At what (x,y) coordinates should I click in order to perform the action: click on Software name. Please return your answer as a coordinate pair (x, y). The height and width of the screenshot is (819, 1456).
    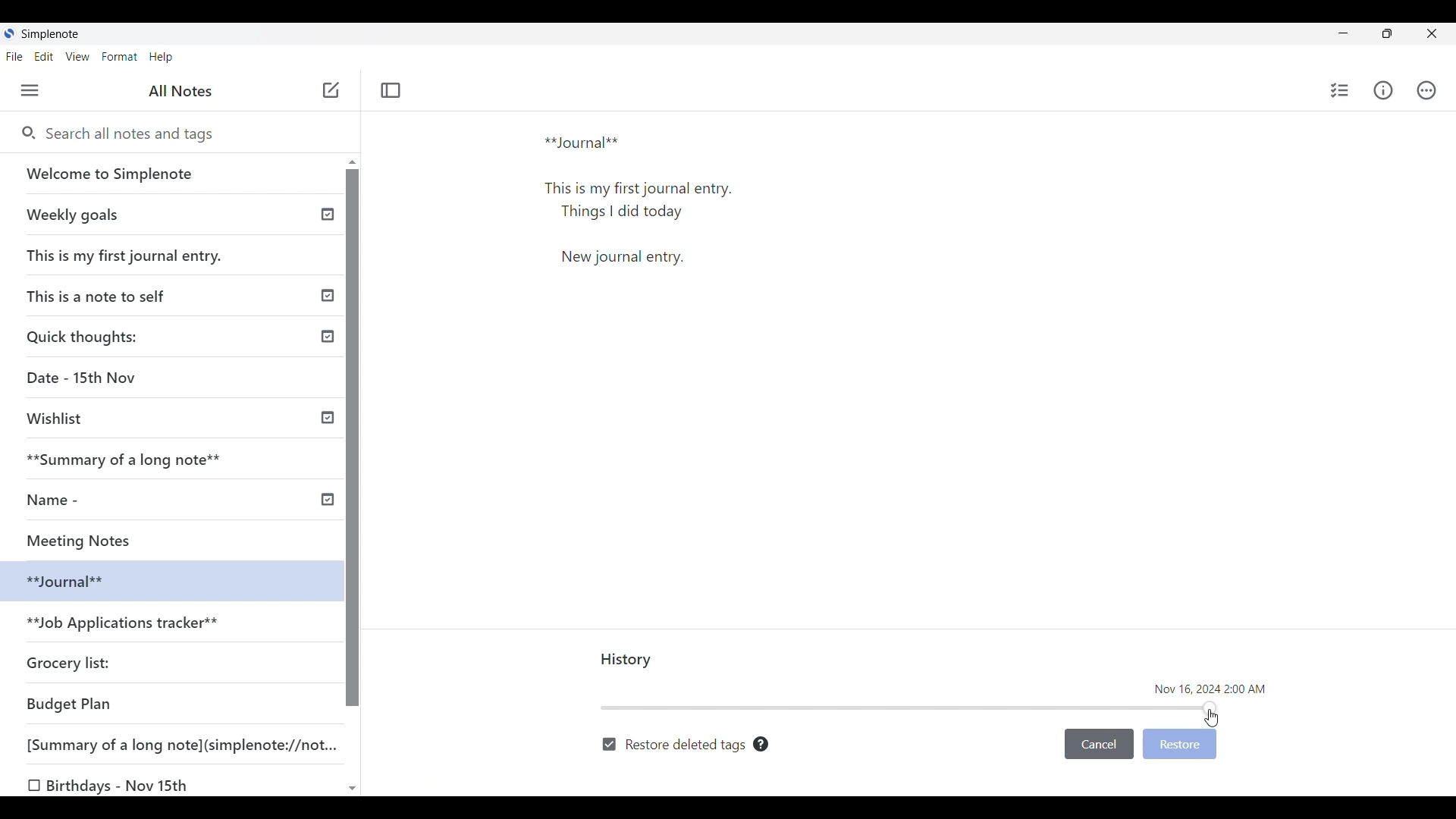
    Looking at the image, I should click on (52, 34).